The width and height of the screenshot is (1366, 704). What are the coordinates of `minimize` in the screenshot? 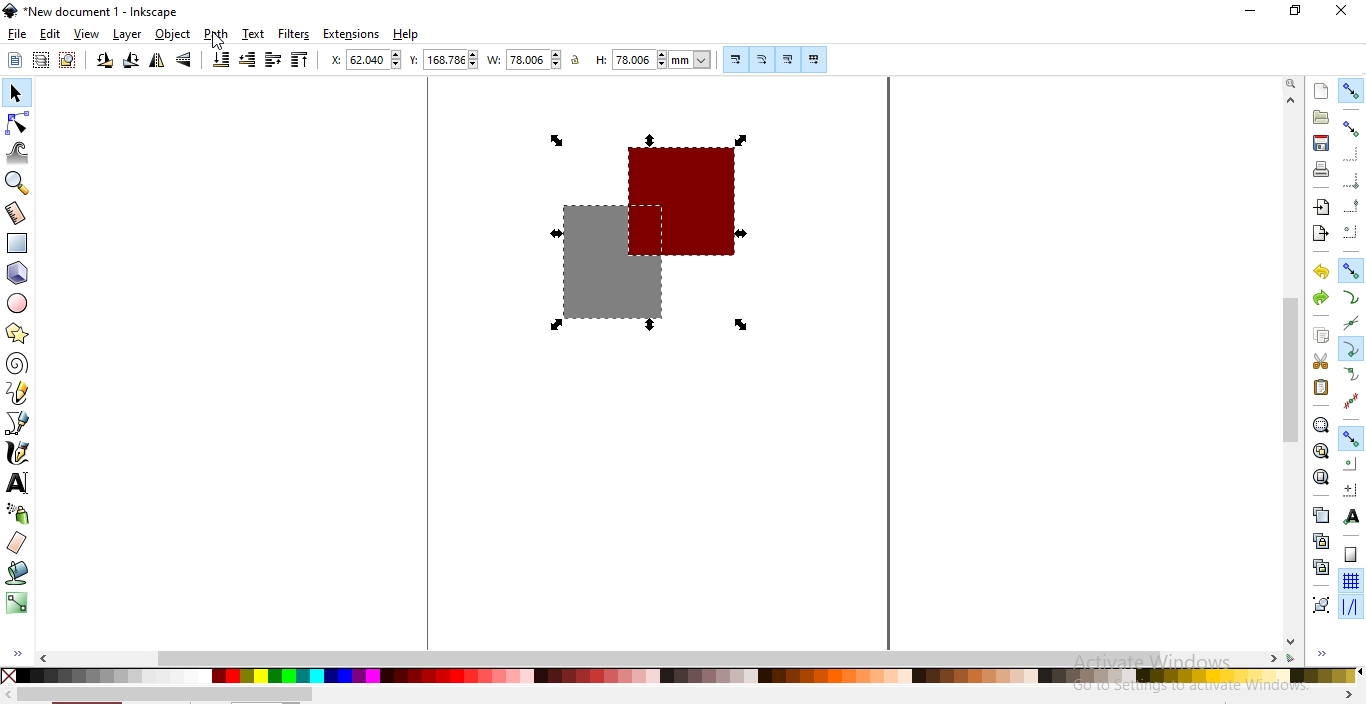 It's located at (1251, 12).